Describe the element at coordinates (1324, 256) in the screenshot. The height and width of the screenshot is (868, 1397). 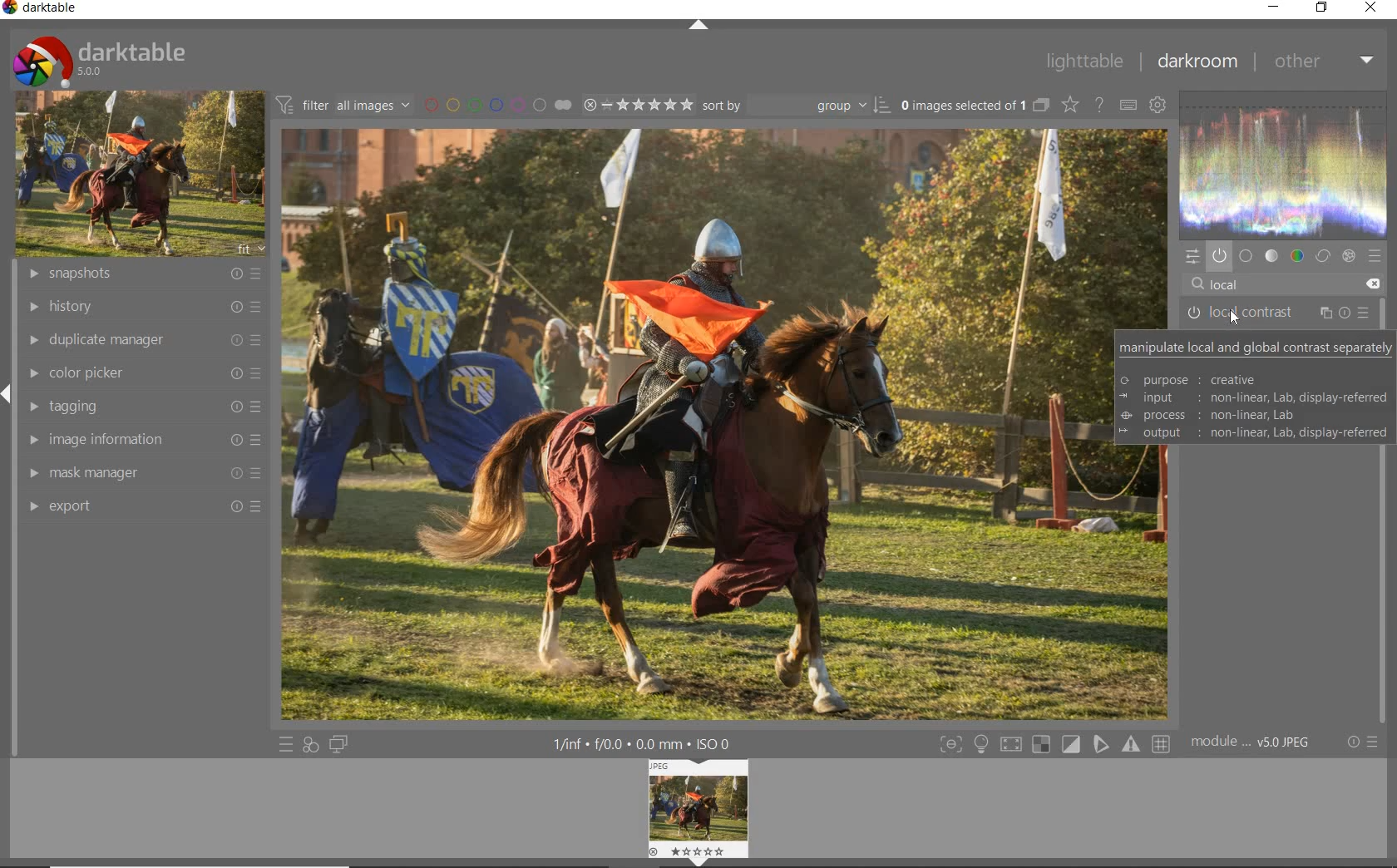
I see `correct` at that location.